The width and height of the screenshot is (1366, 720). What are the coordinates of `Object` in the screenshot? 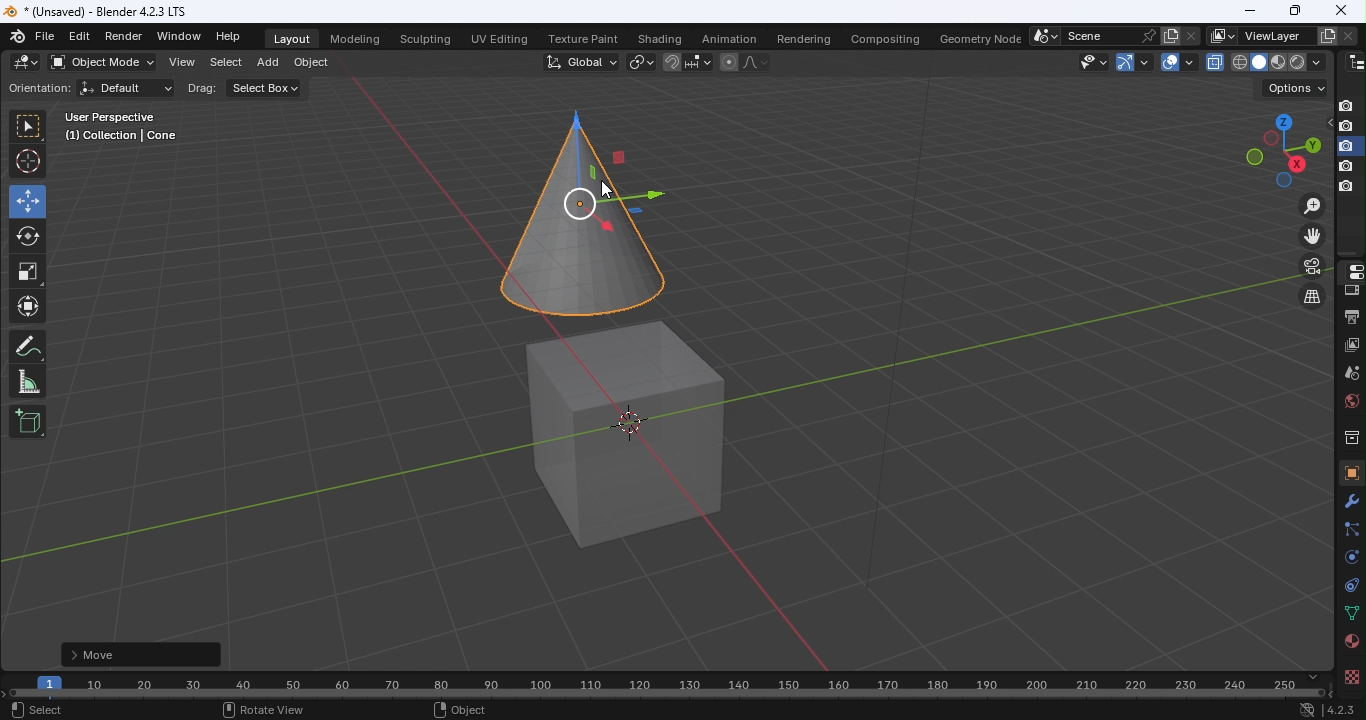 It's located at (310, 65).